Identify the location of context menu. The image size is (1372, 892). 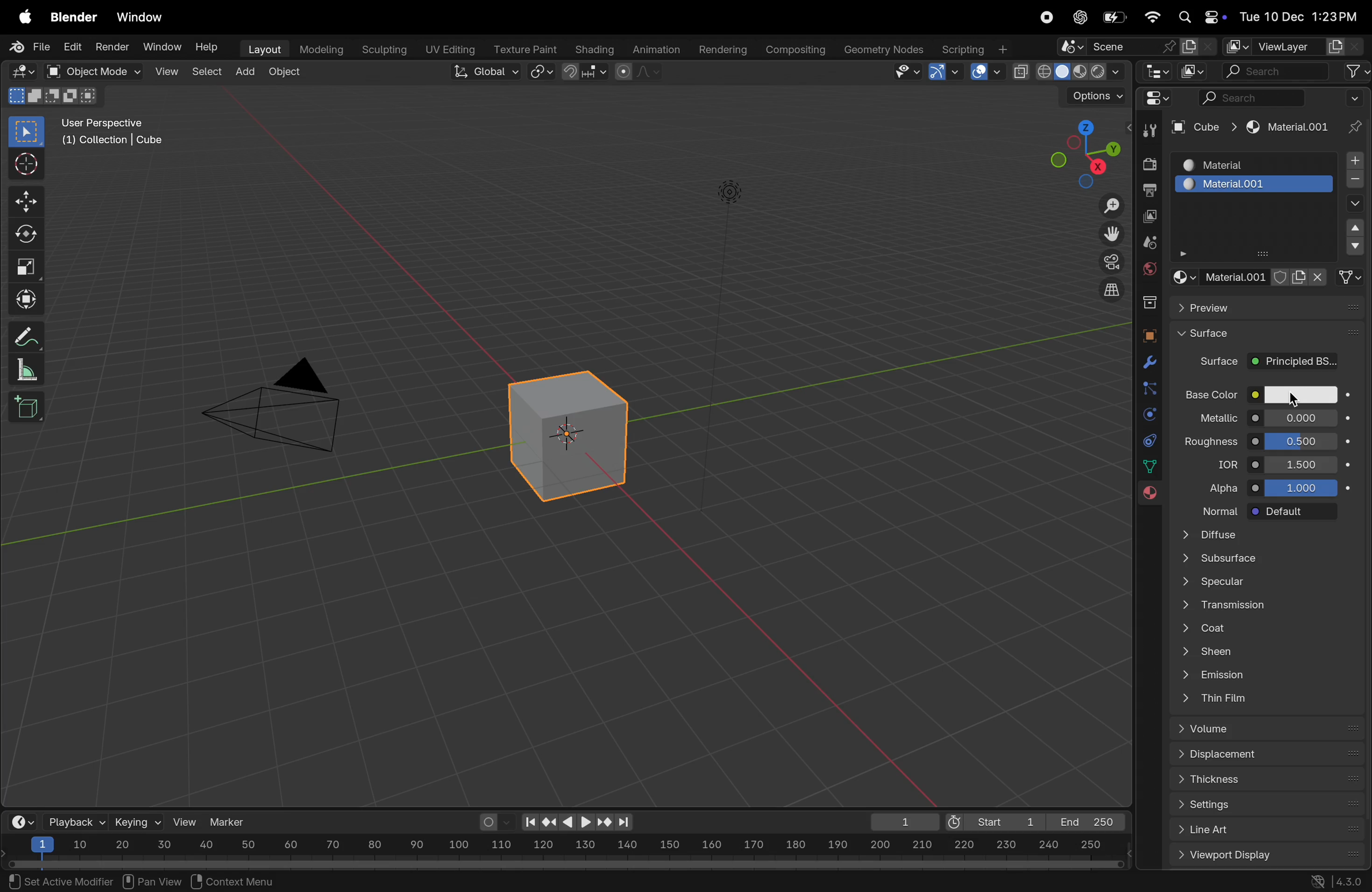
(239, 880).